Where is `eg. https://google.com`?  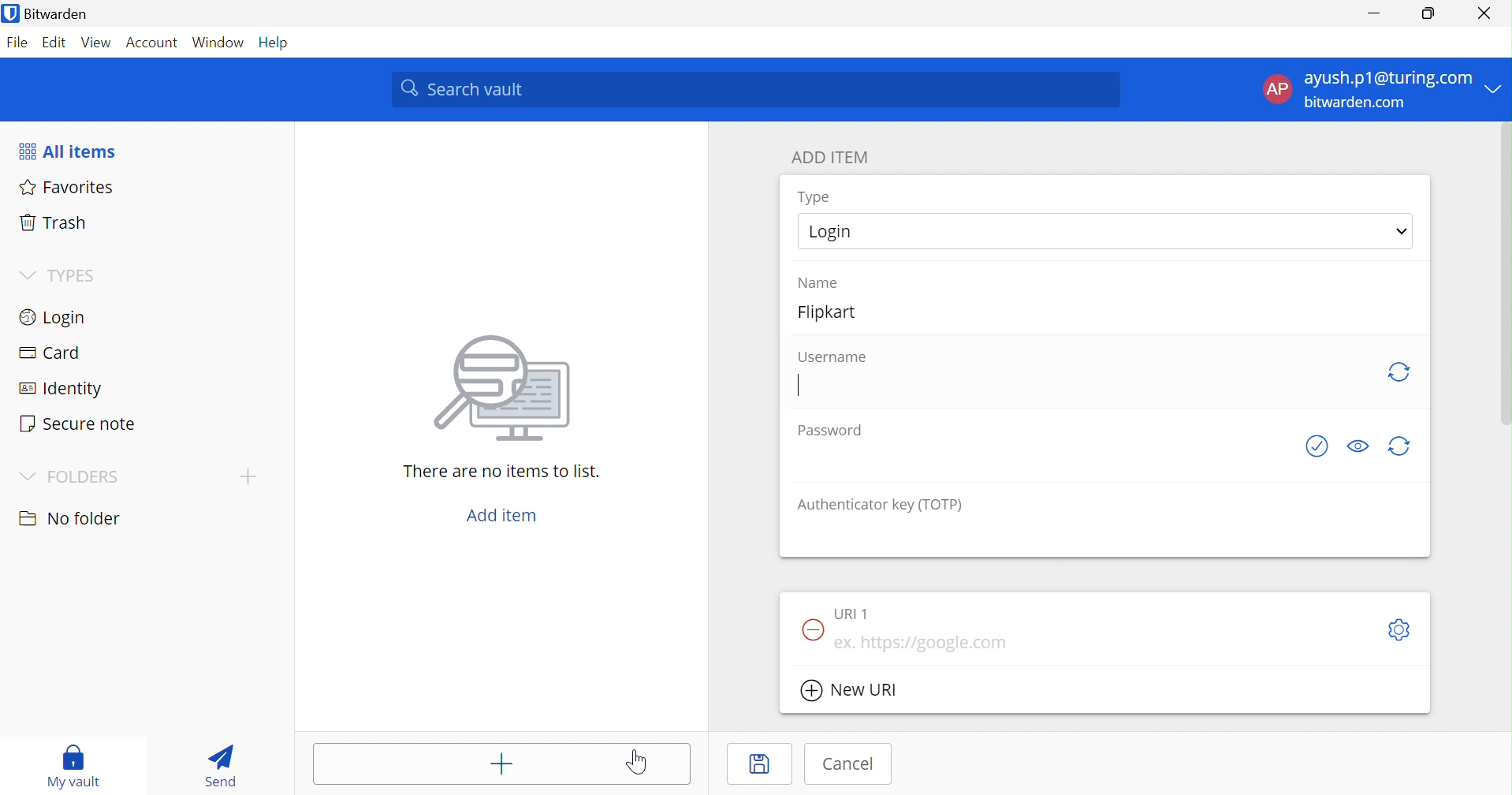 eg. https://google.com is located at coordinates (922, 644).